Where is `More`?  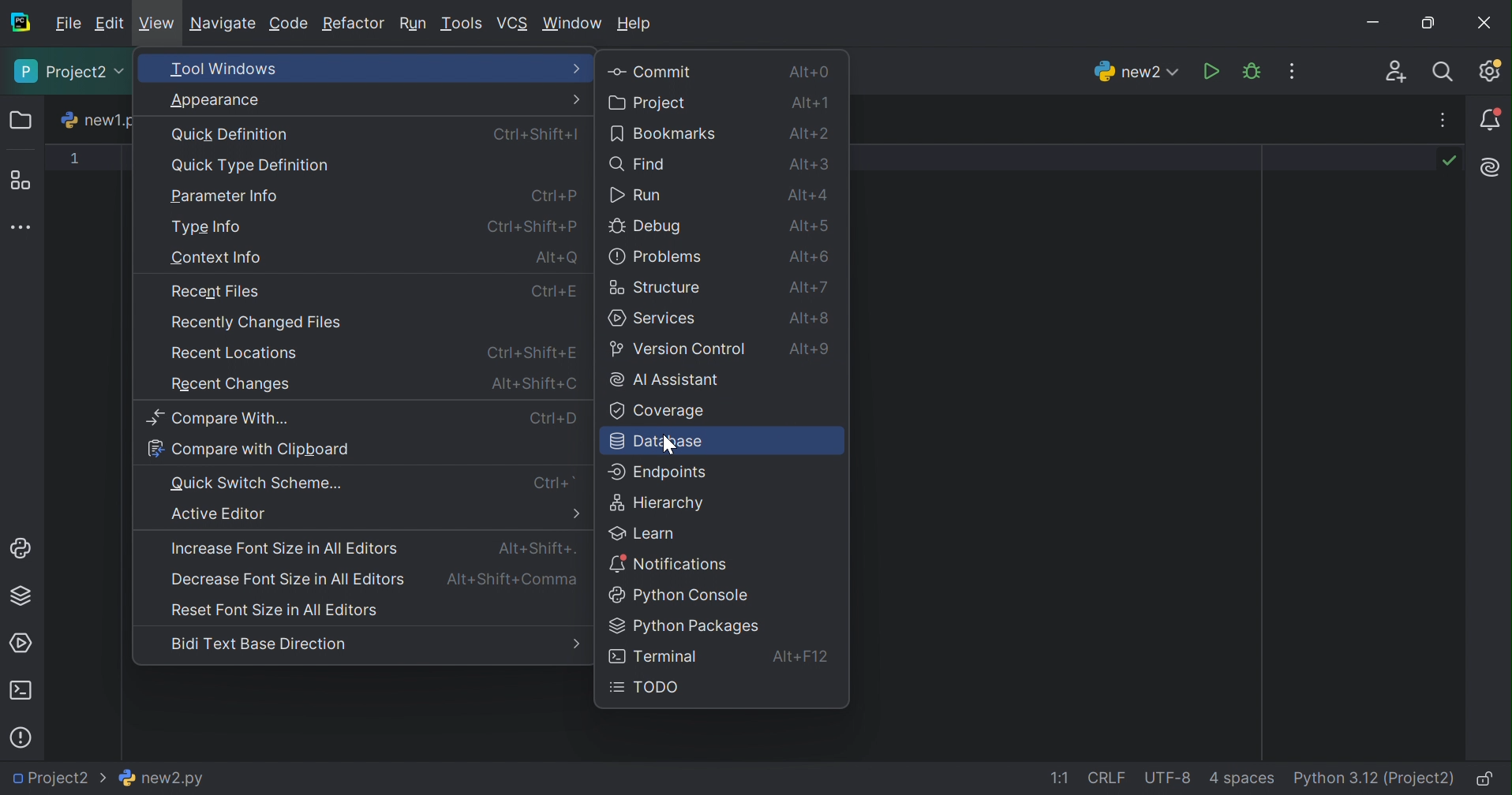 More is located at coordinates (575, 514).